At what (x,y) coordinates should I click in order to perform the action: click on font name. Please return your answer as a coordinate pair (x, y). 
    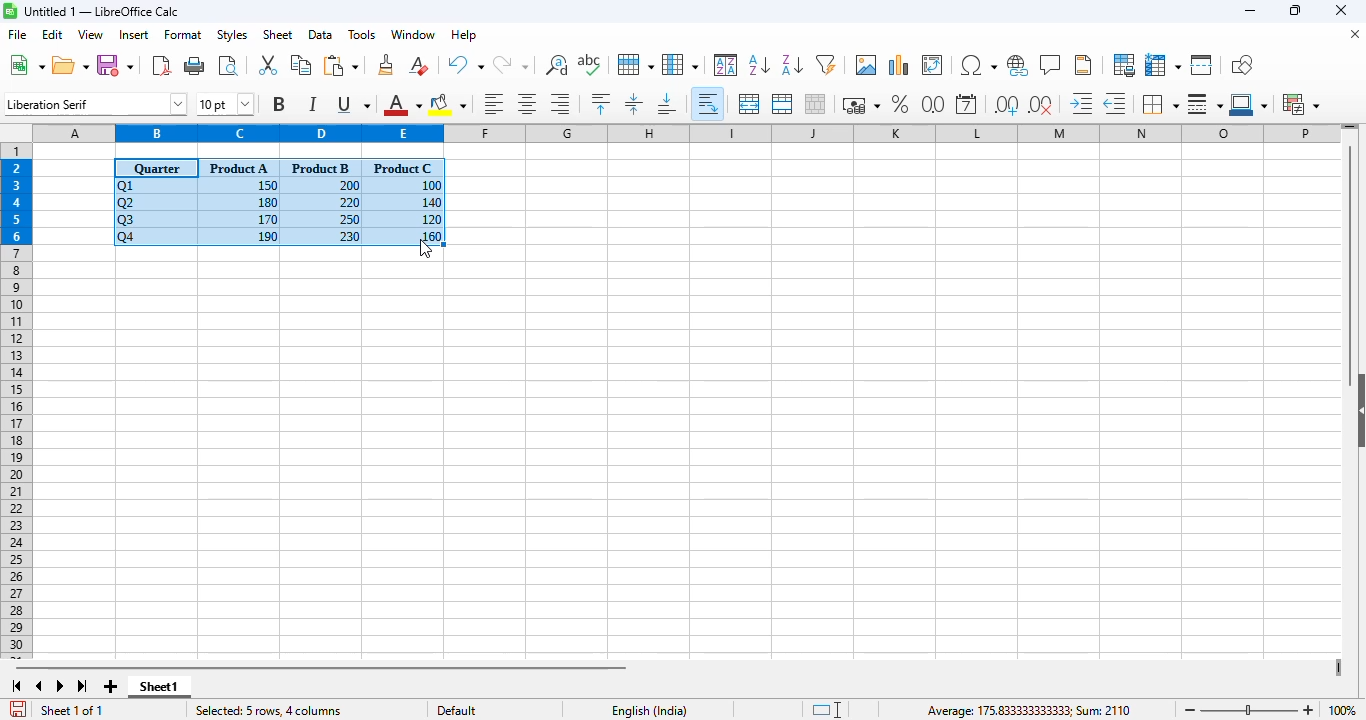
    Looking at the image, I should click on (96, 103).